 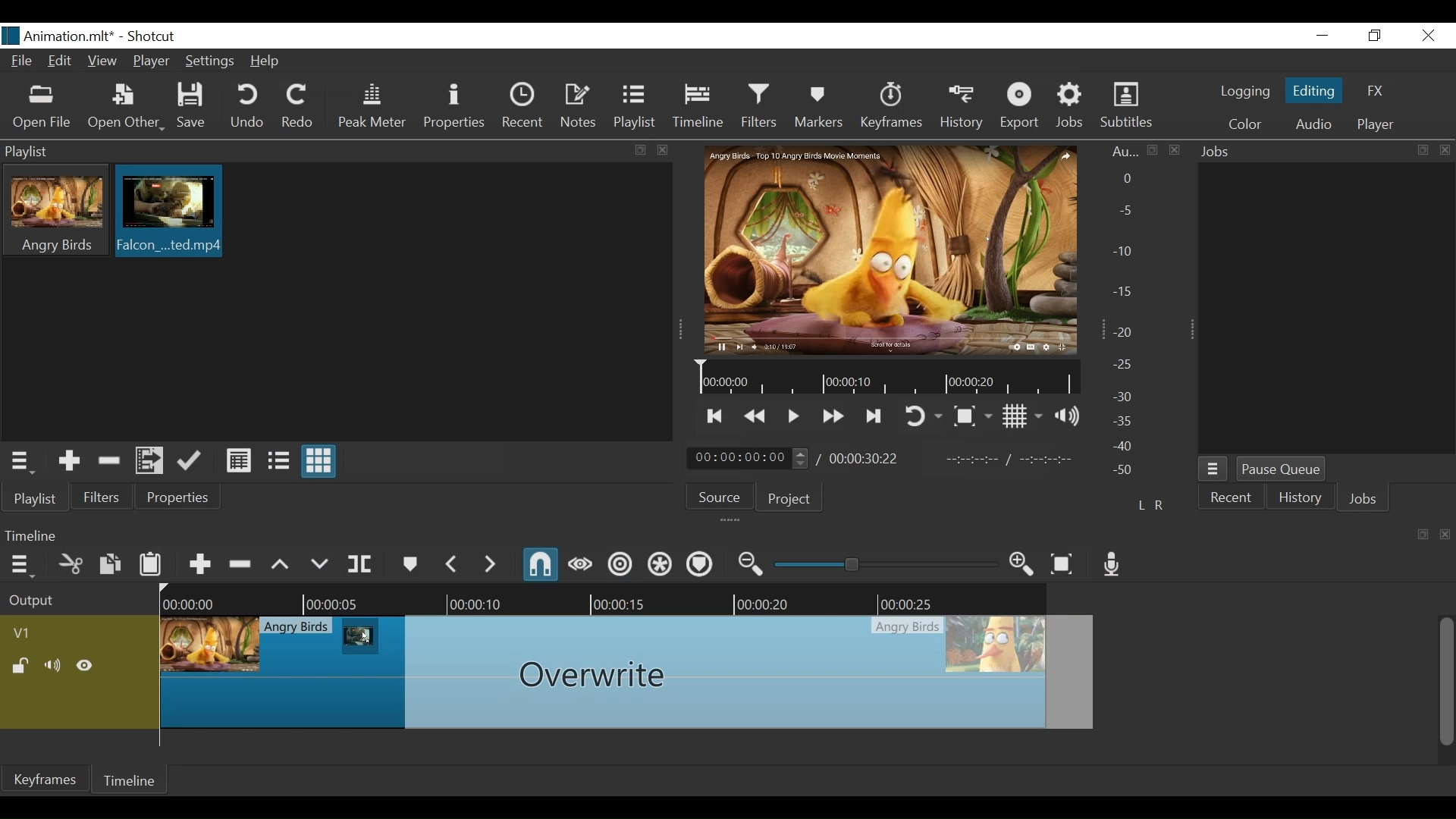 What do you see at coordinates (71, 38) in the screenshot?
I see `Project Name` at bounding box center [71, 38].